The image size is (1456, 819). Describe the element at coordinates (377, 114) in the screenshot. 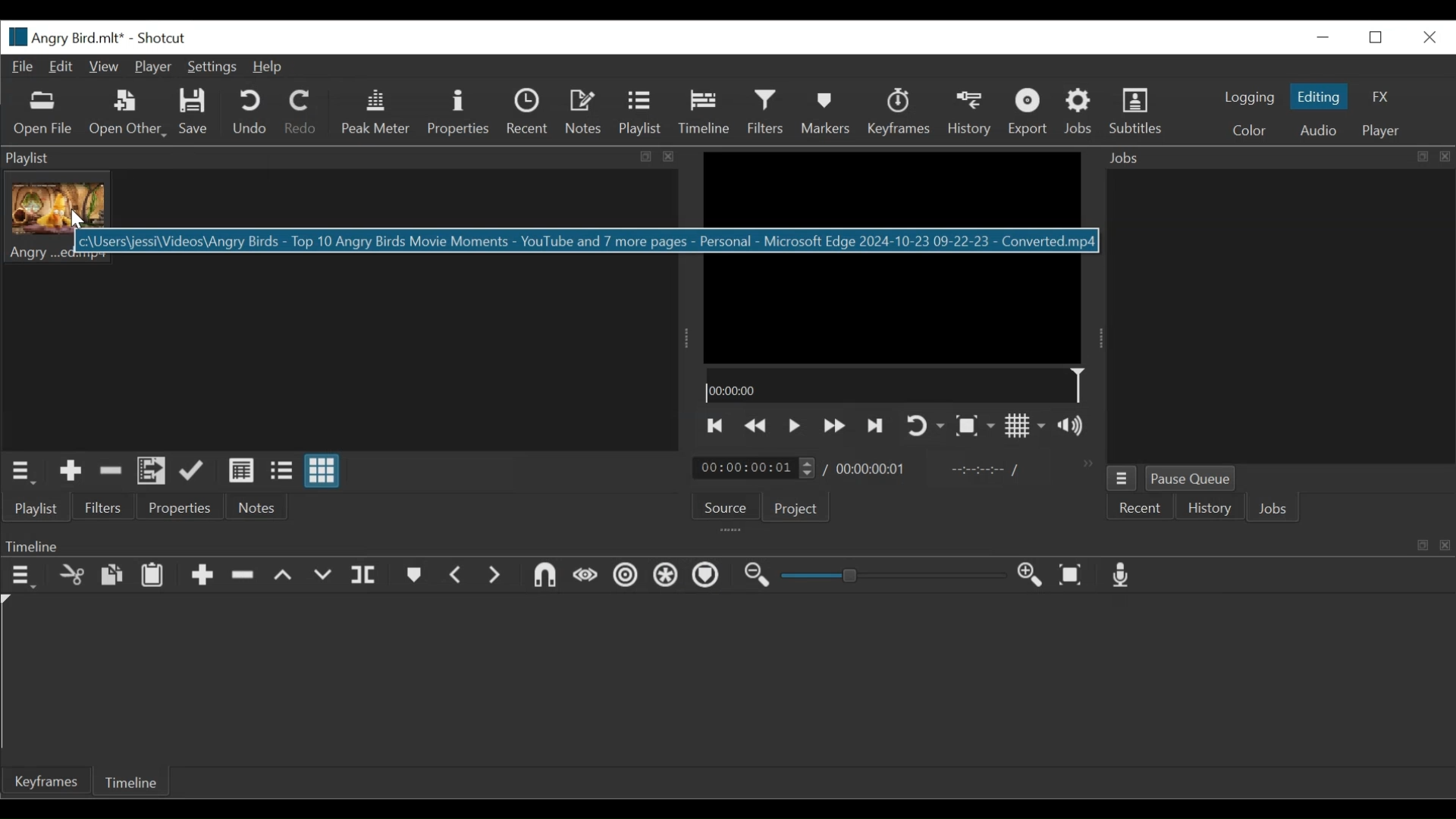

I see `Peak master` at that location.